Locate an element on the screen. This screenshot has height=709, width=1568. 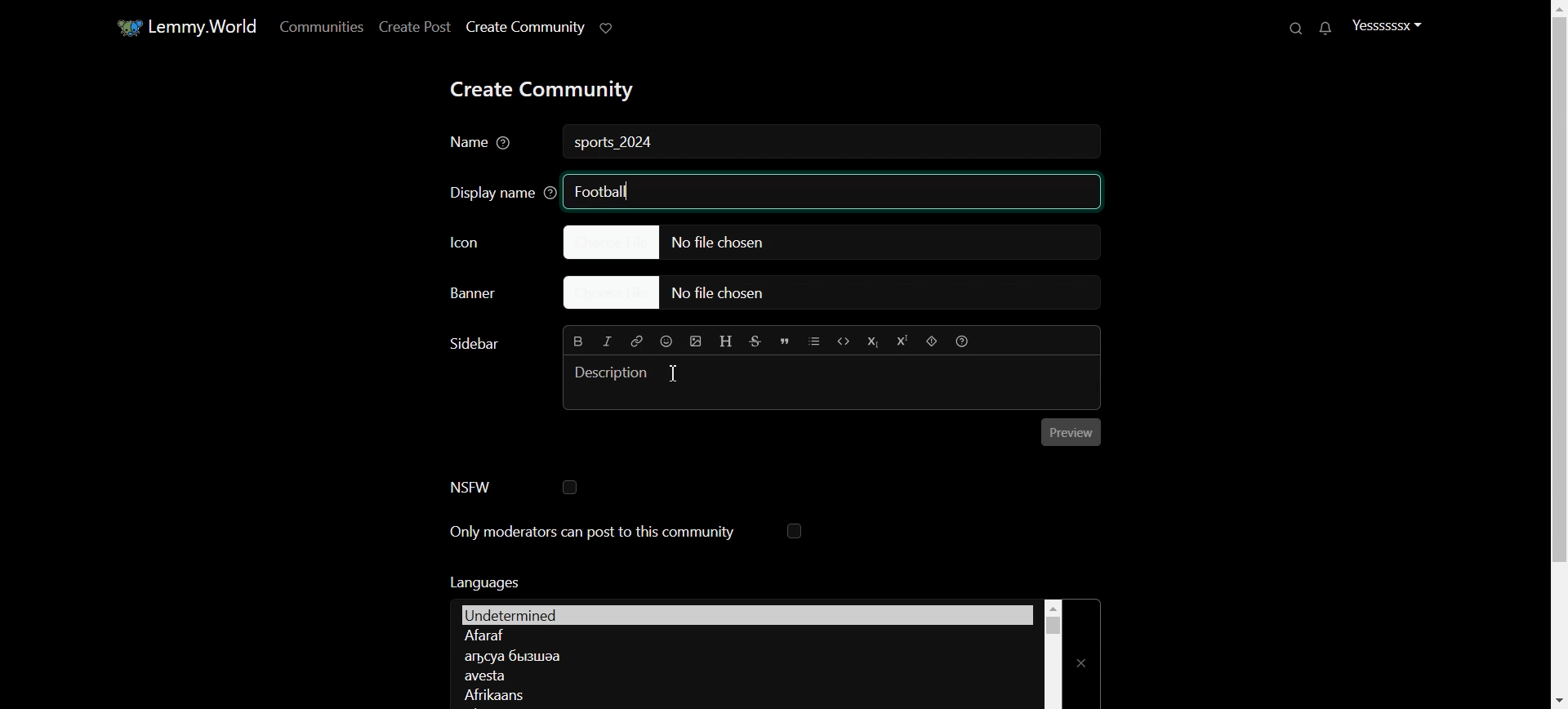
Text is located at coordinates (472, 344).